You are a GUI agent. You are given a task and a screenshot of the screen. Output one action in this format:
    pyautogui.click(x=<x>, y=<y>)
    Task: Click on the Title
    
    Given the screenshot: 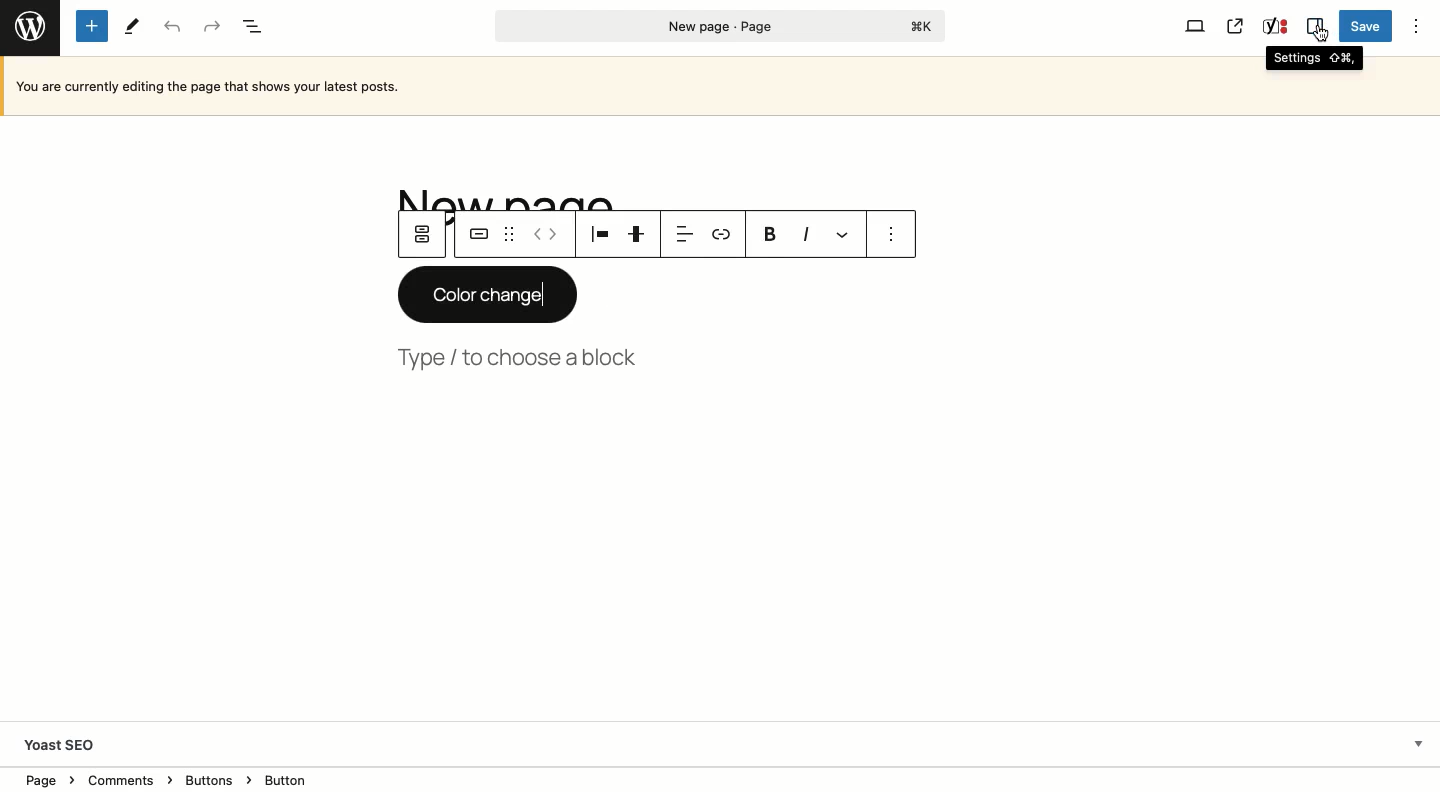 What is the action you would take?
    pyautogui.click(x=513, y=197)
    